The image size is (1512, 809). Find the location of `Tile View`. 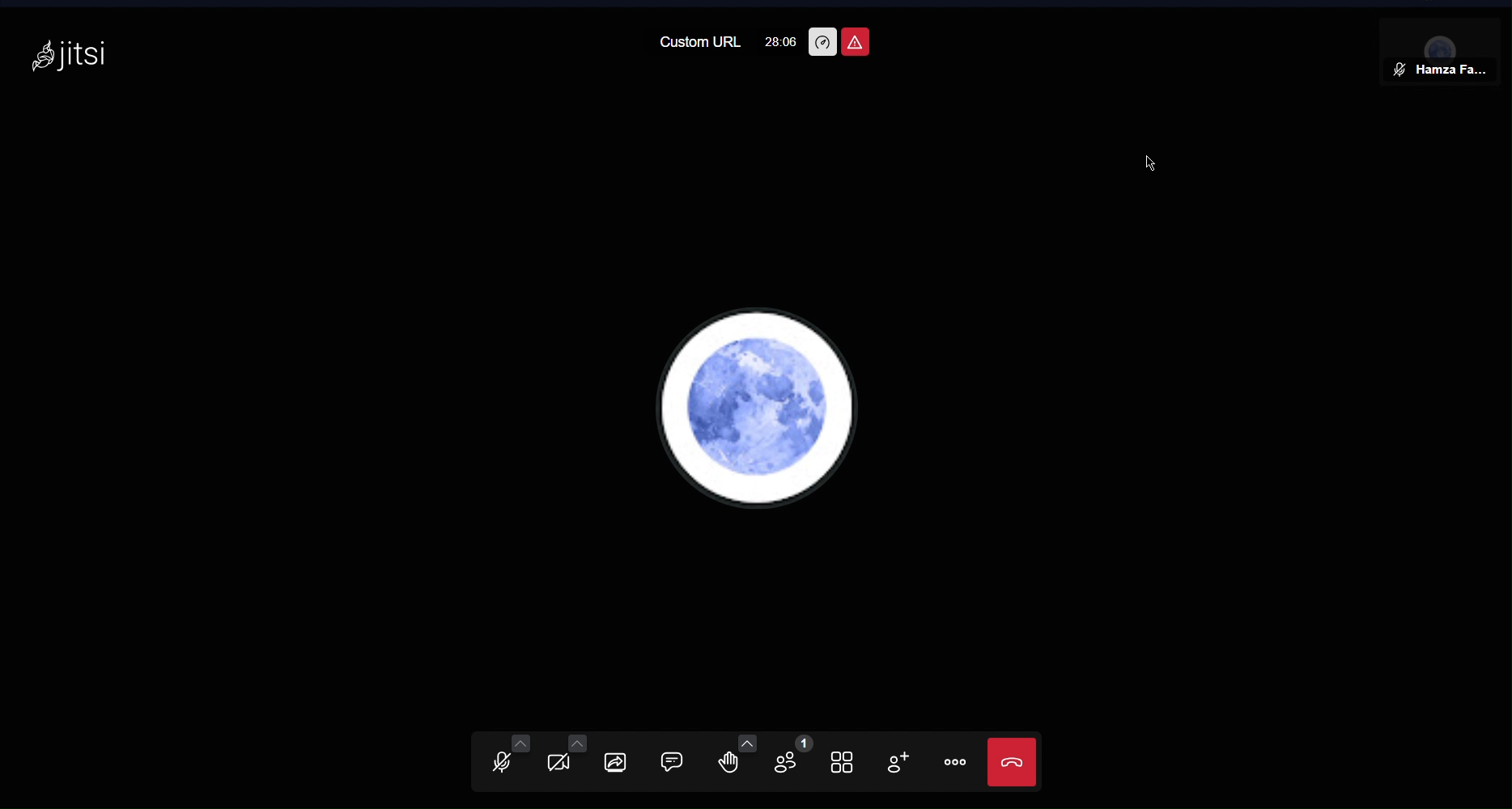

Tile View is located at coordinates (849, 760).